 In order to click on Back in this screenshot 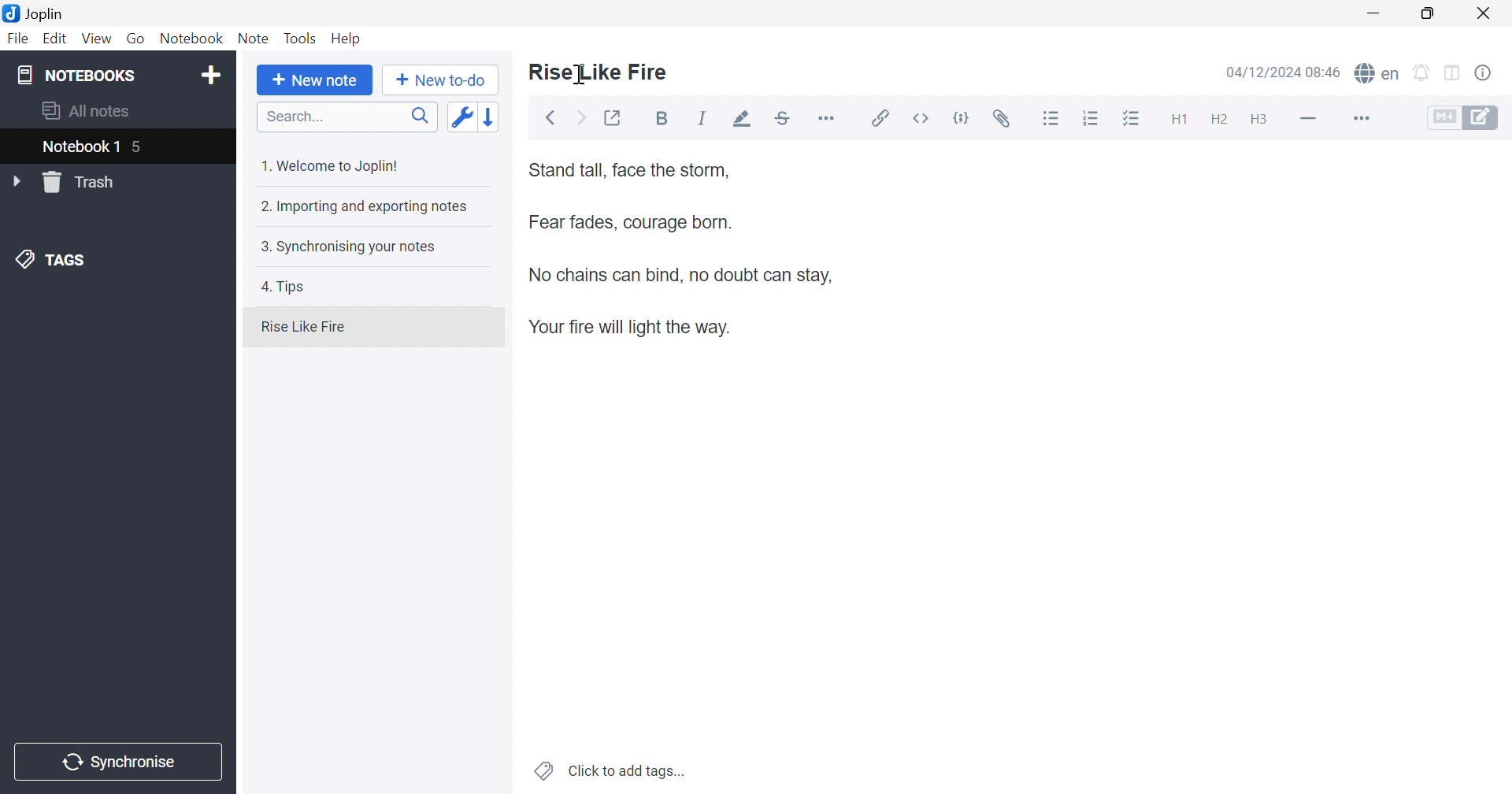, I will do `click(550, 118)`.